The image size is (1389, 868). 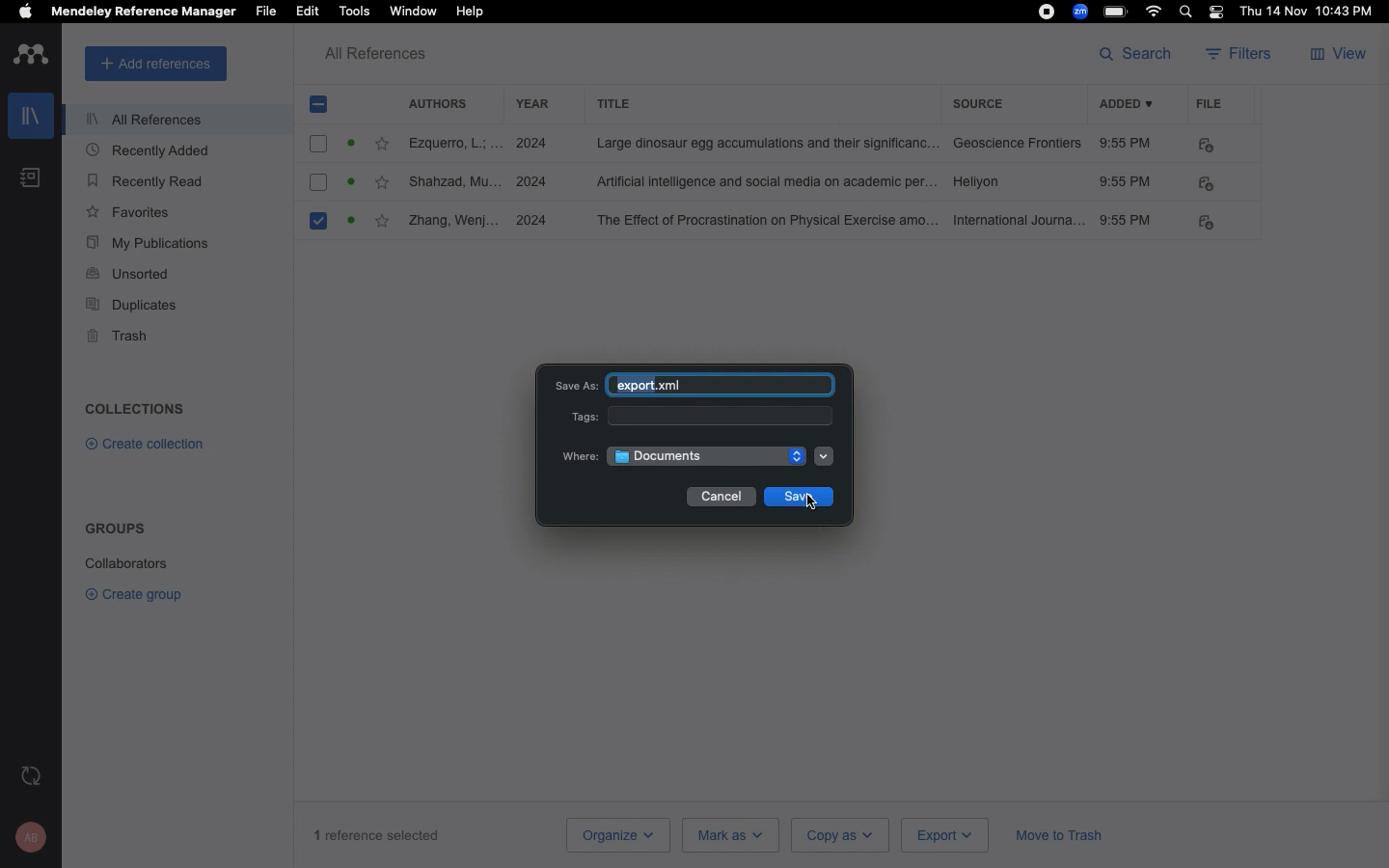 What do you see at coordinates (720, 388) in the screenshot?
I see `Export xml` at bounding box center [720, 388].